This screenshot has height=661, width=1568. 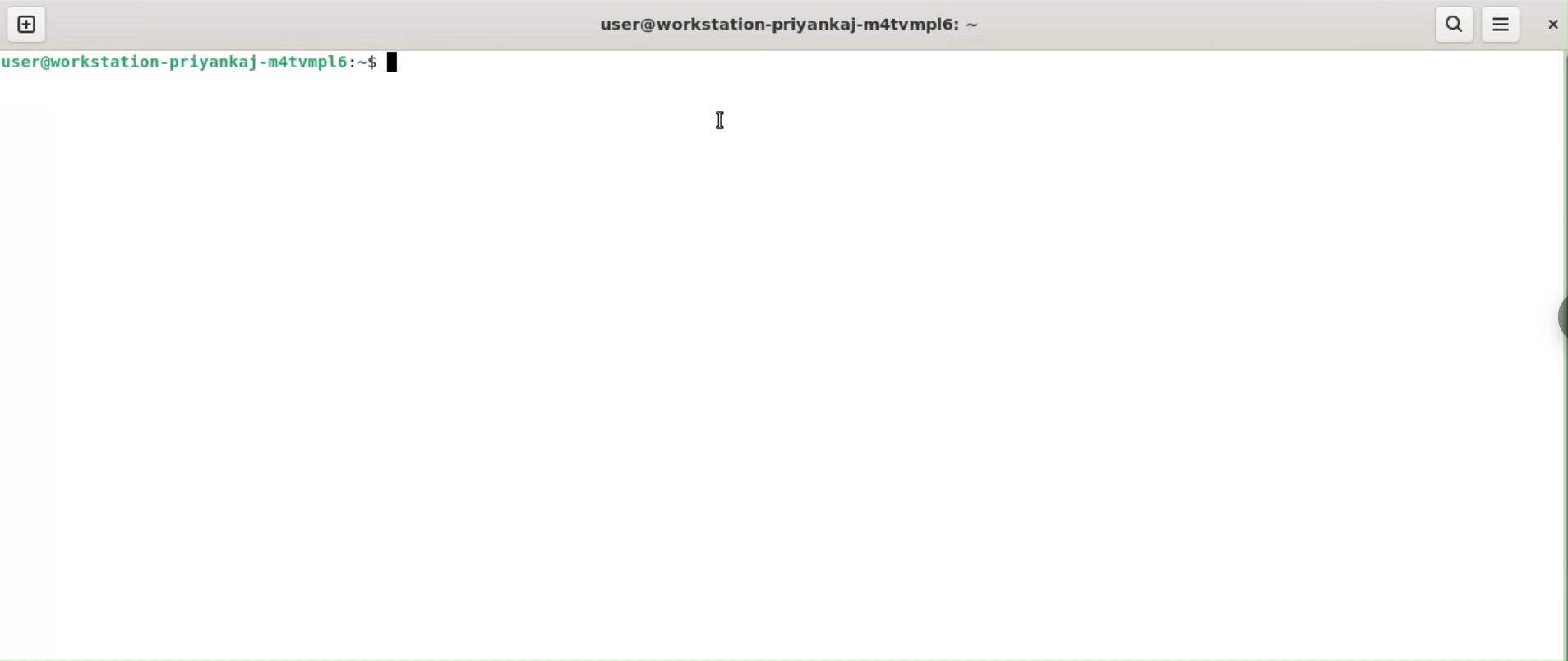 What do you see at coordinates (1457, 24) in the screenshot?
I see `search` at bounding box center [1457, 24].